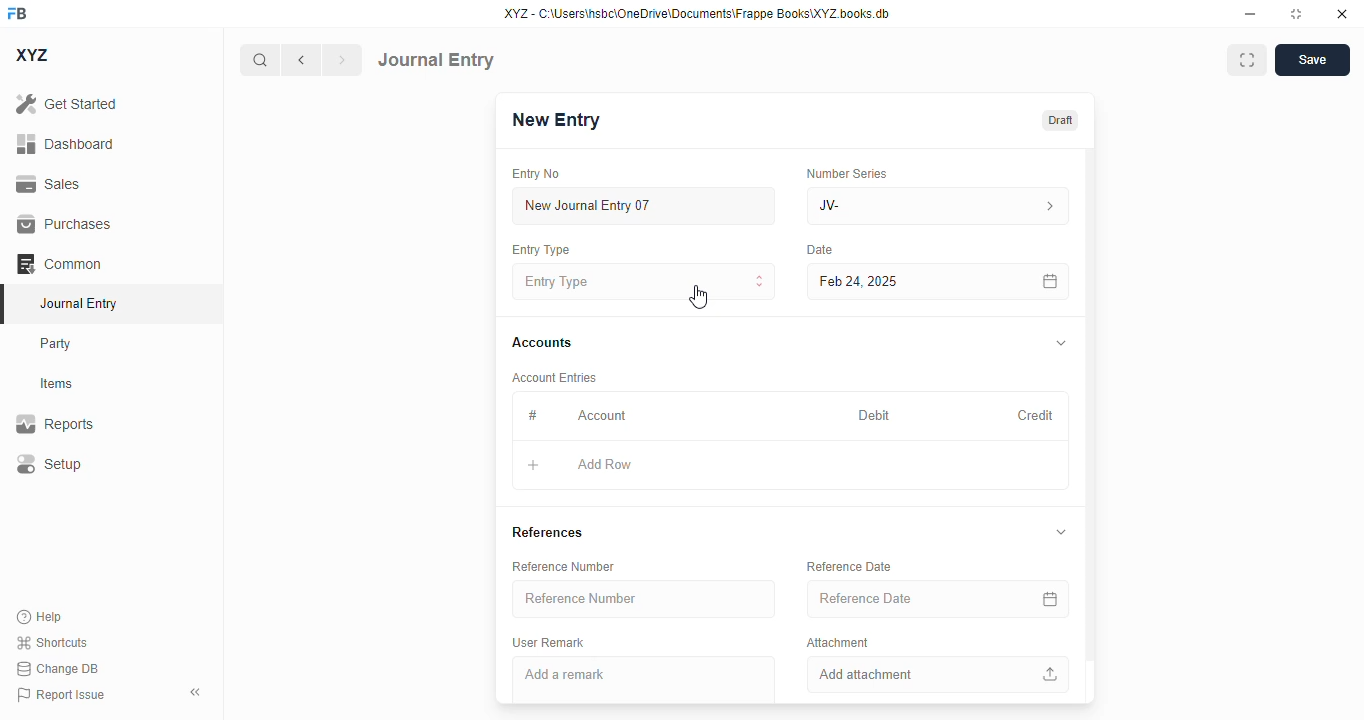  What do you see at coordinates (537, 173) in the screenshot?
I see `entry no` at bounding box center [537, 173].